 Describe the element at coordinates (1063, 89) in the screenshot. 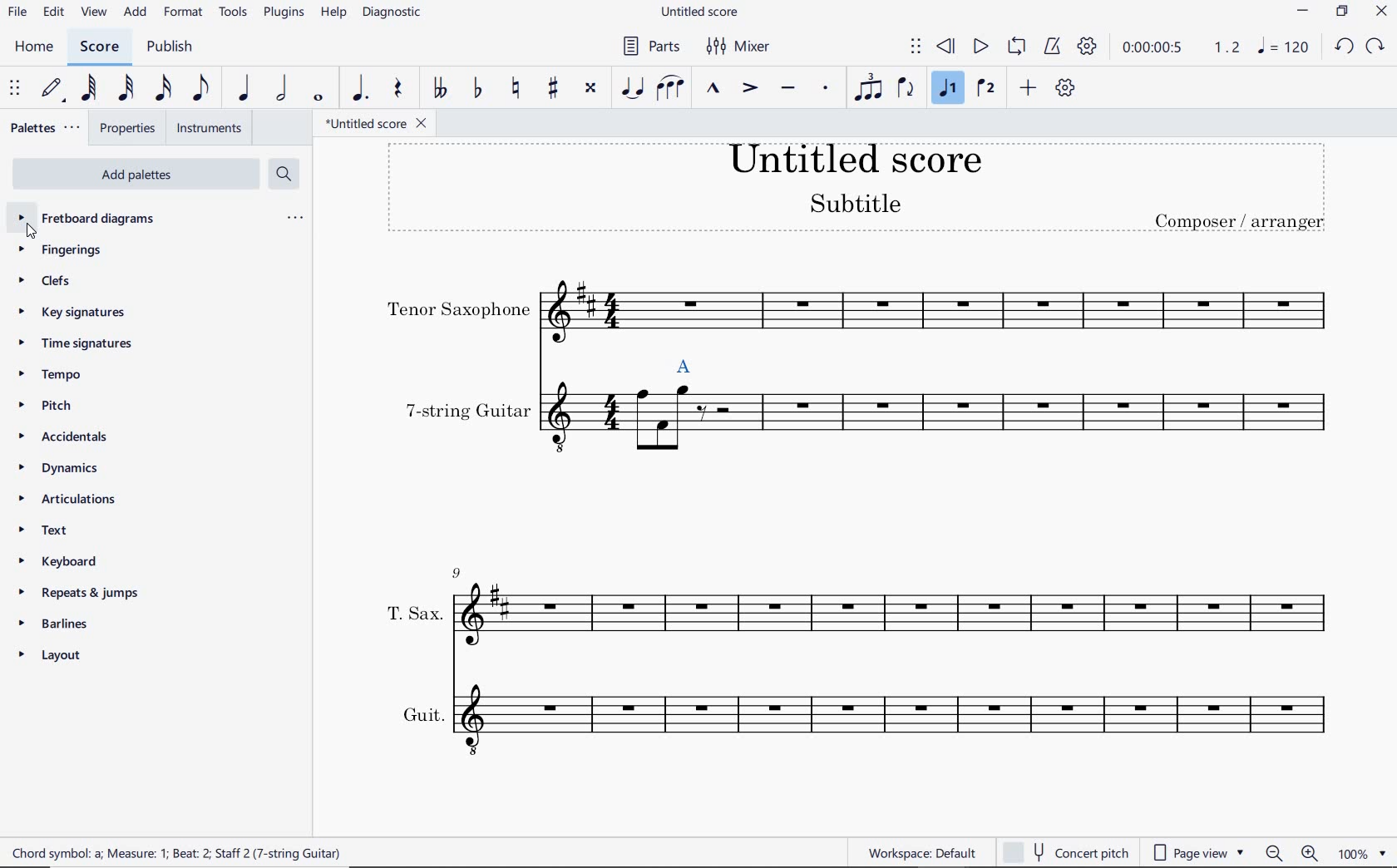

I see `CUSTOMIZE TOOLBAR` at that location.